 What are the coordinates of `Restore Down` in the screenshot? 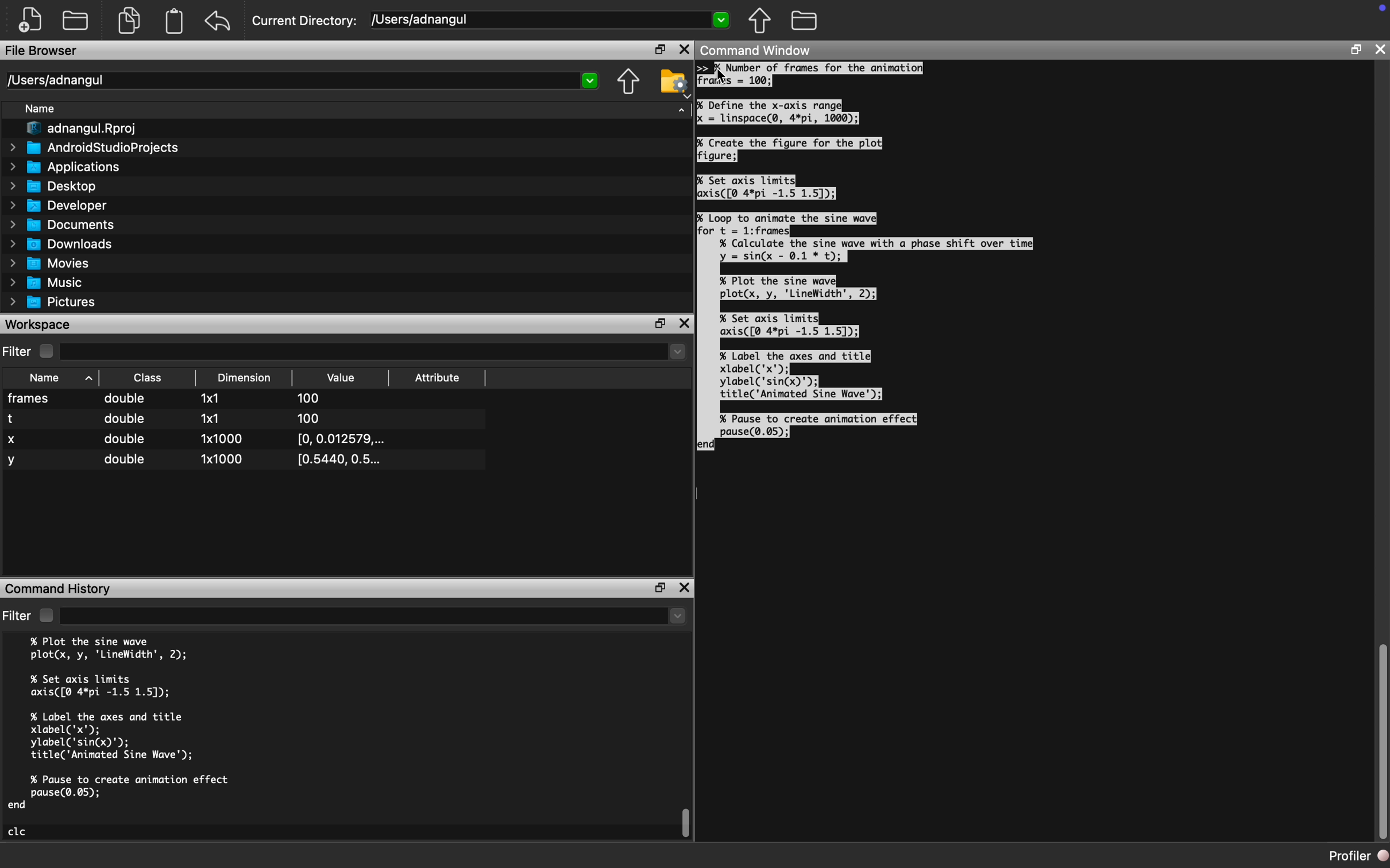 It's located at (658, 324).